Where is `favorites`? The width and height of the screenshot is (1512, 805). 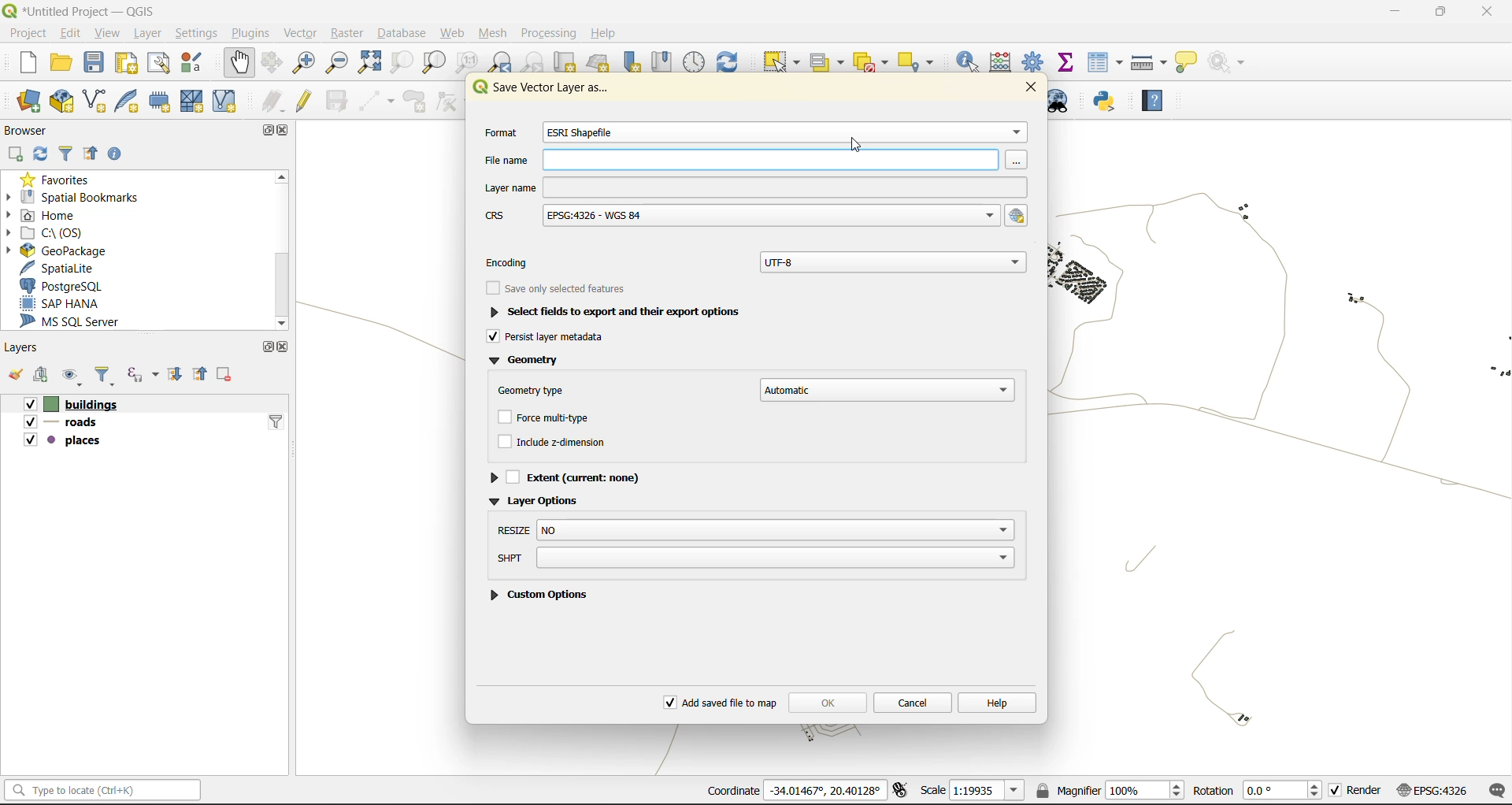
favorites is located at coordinates (65, 180).